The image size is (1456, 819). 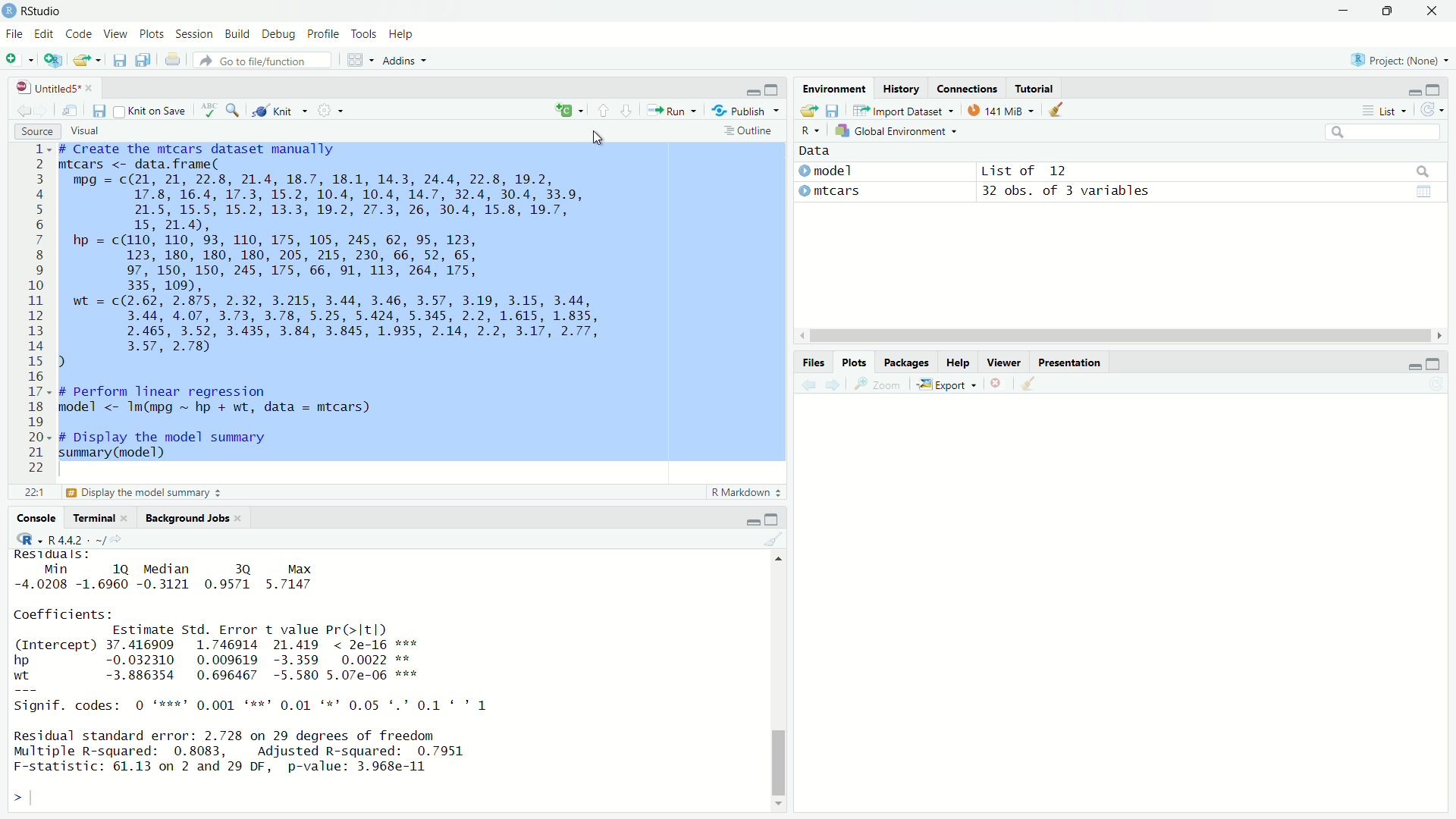 I want to click on RStudio, so click(x=42, y=11).